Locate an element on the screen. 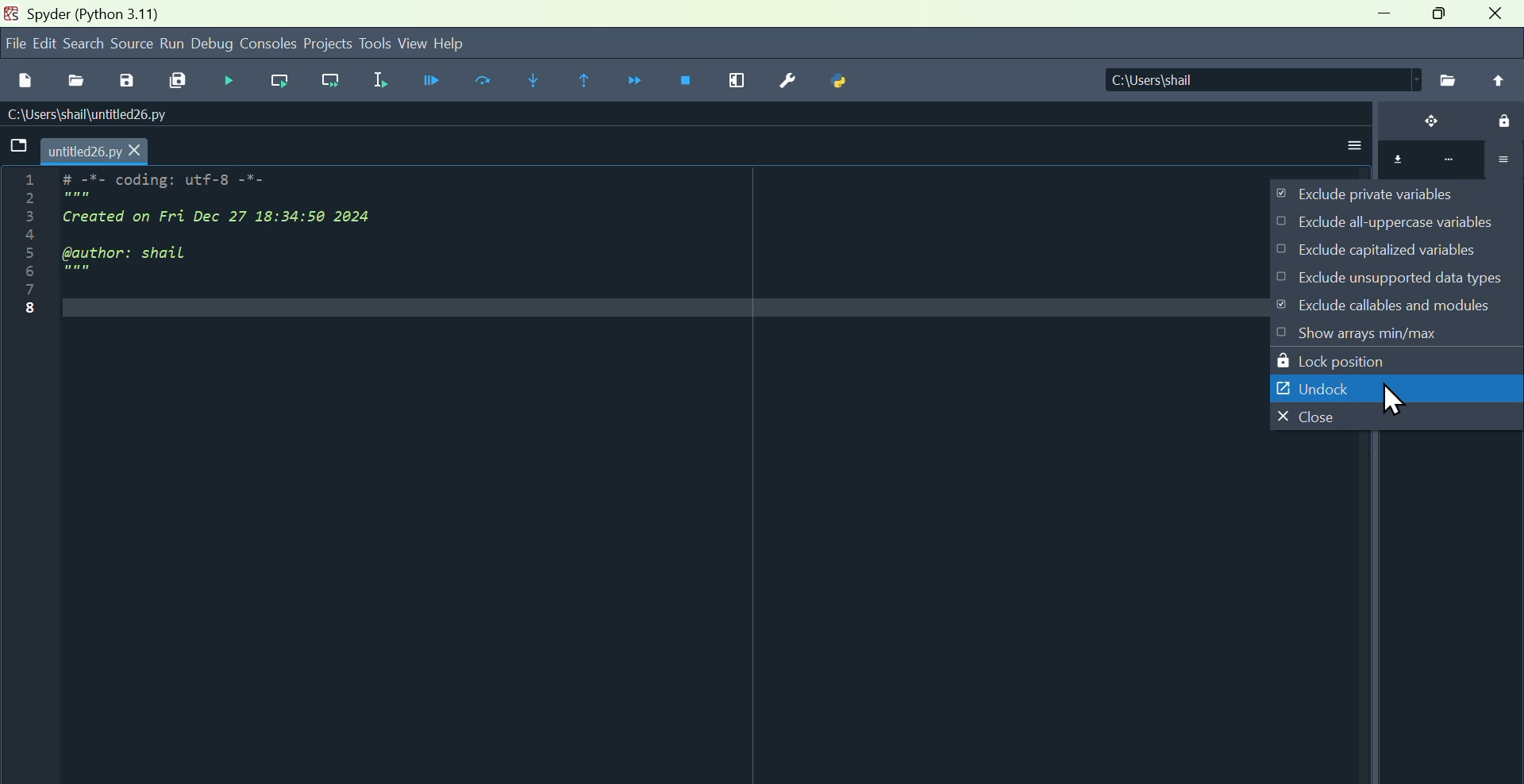  Debug is located at coordinates (226, 80).